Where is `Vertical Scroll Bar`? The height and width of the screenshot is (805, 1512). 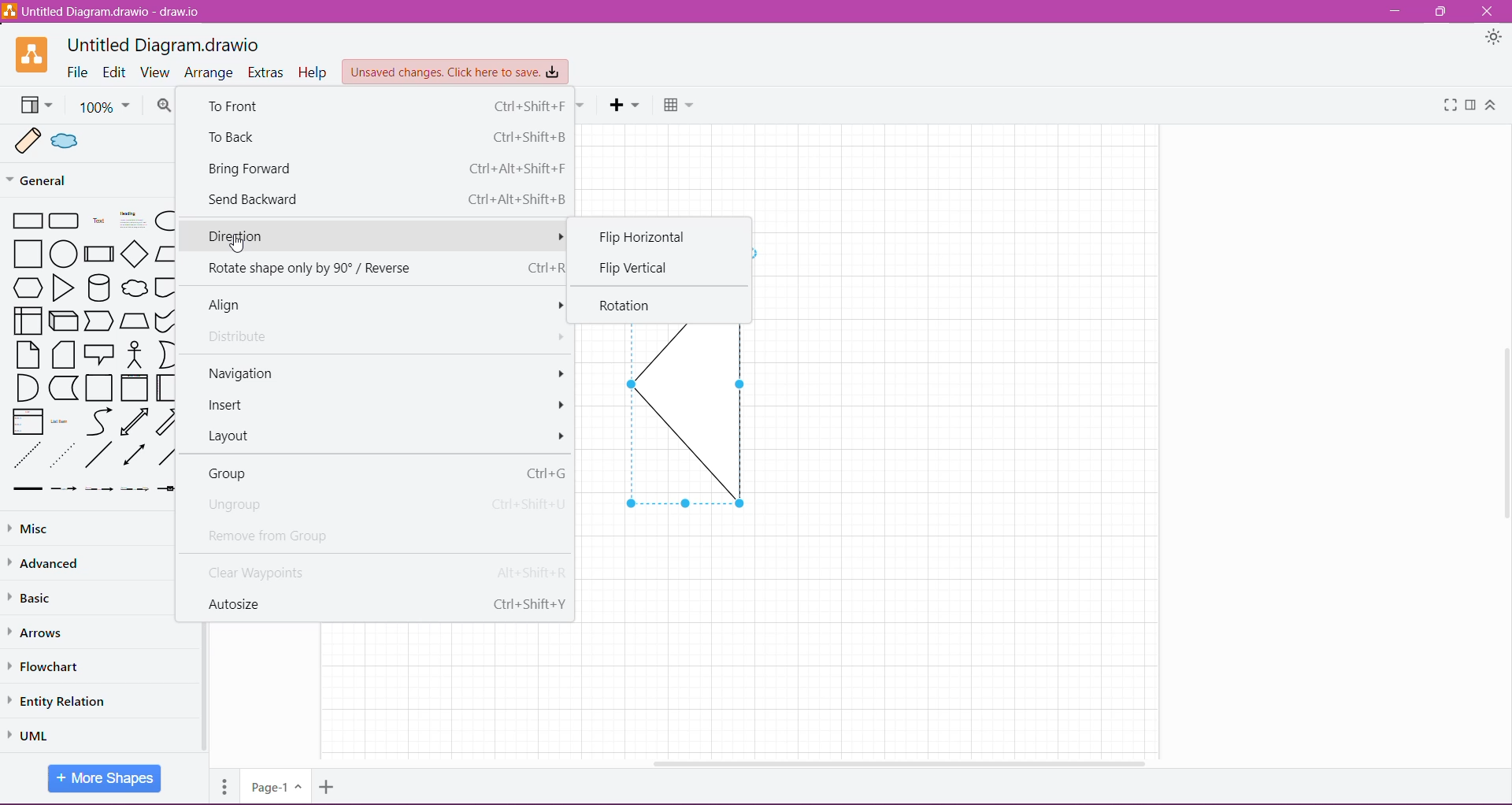
Vertical Scroll Bar is located at coordinates (1503, 417).